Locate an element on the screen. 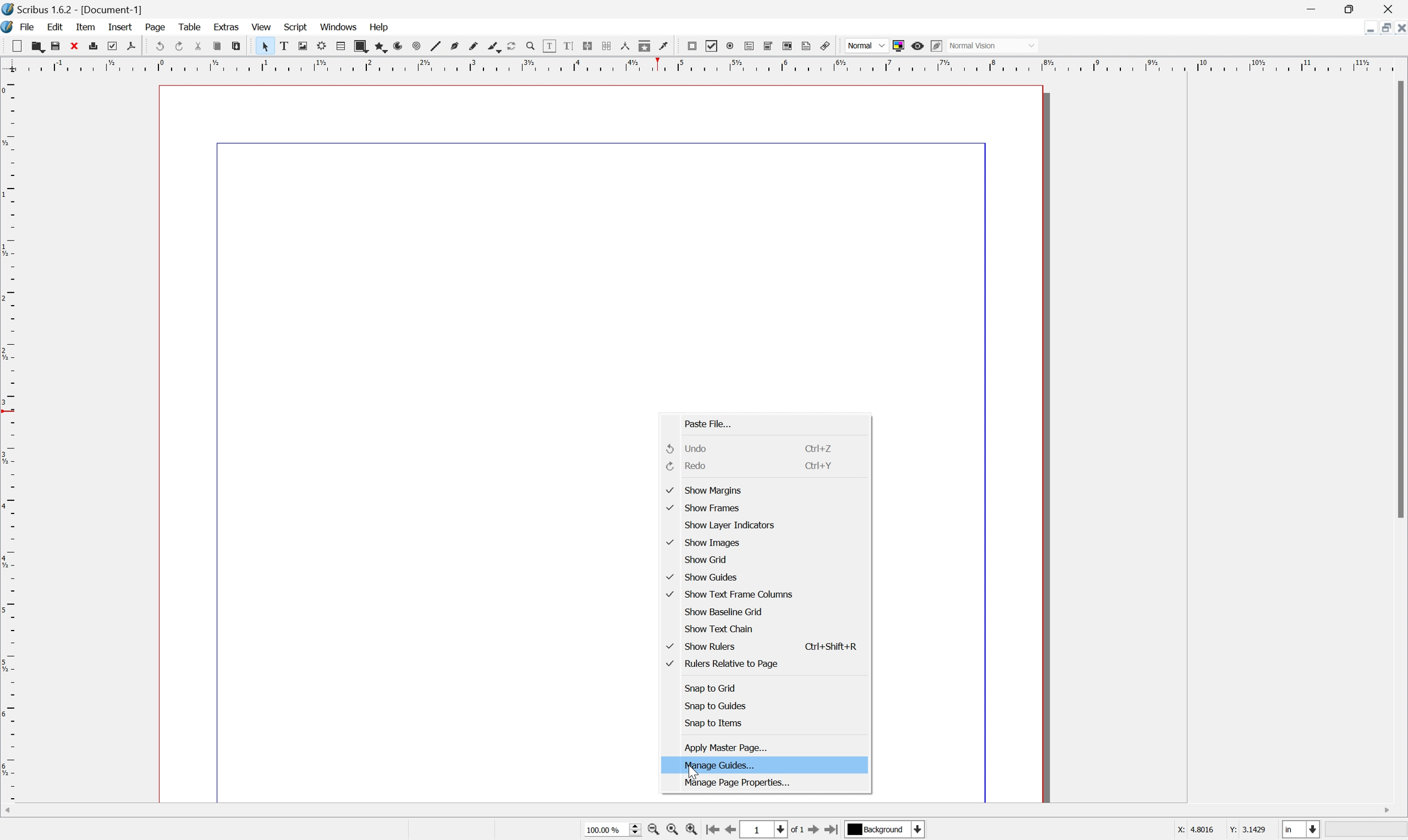 The height and width of the screenshot is (840, 1408). ruler is located at coordinates (704, 65).